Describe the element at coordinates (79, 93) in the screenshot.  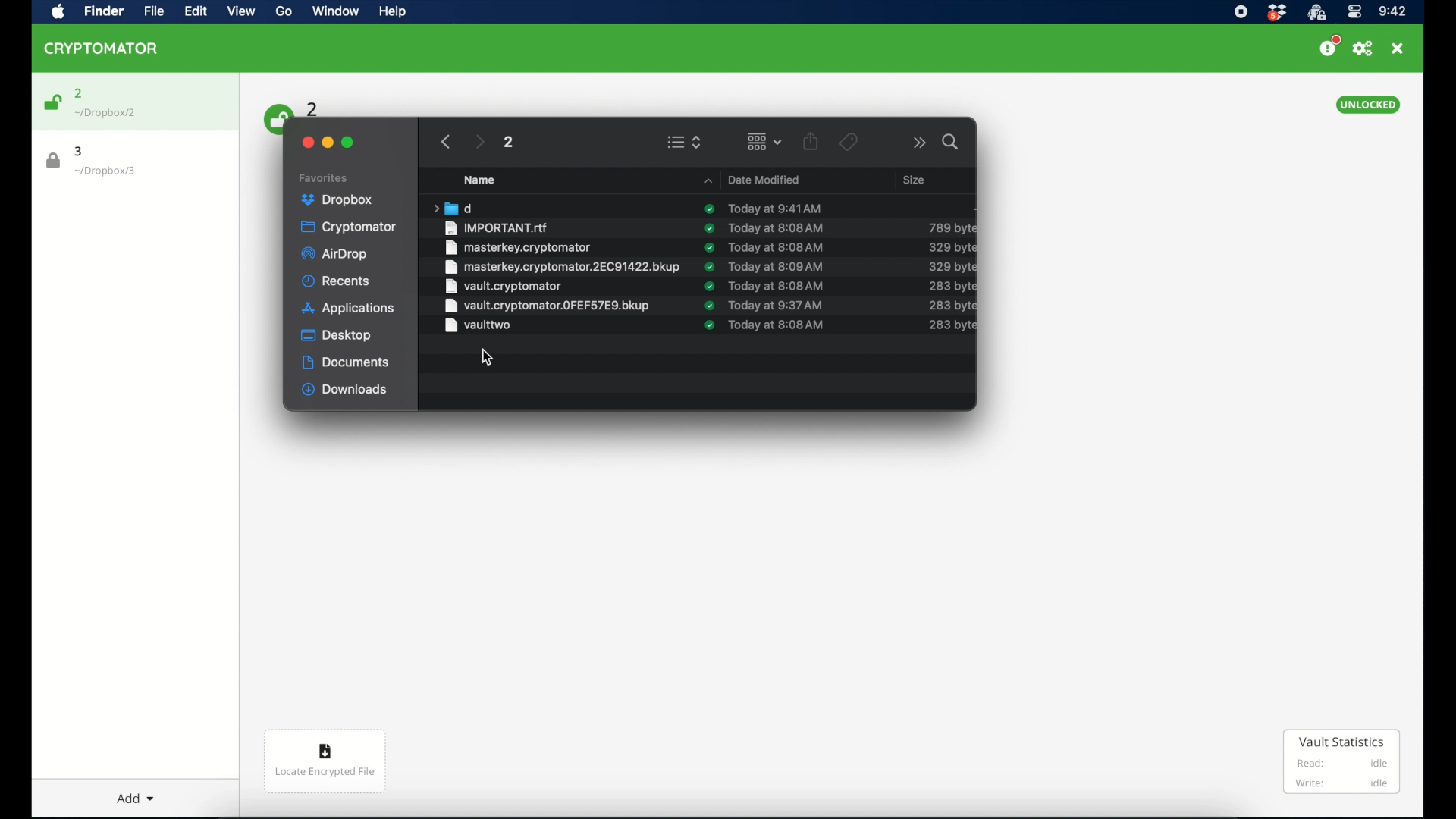
I see `2` at that location.